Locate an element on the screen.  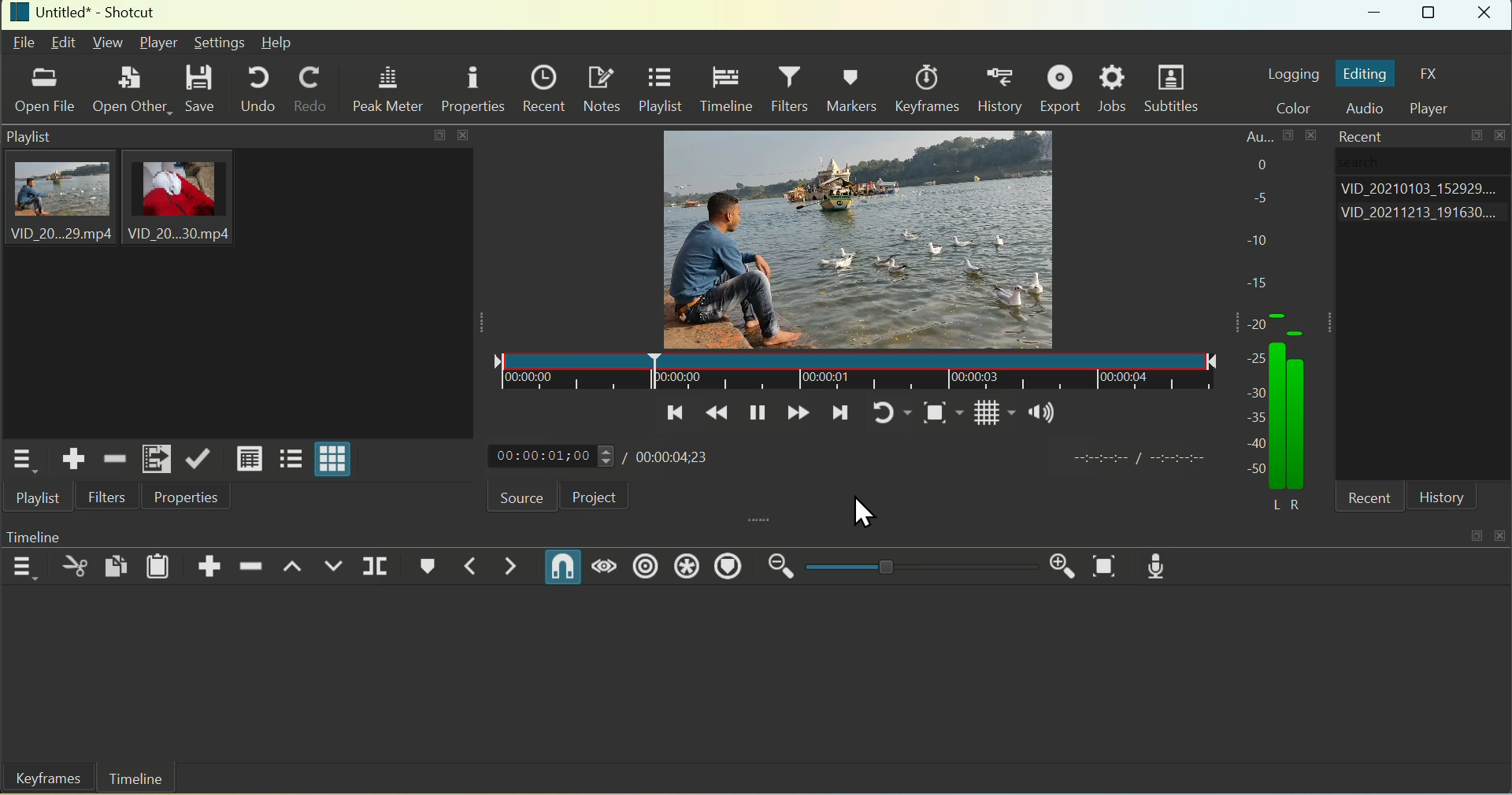
Snap is located at coordinates (561, 566).